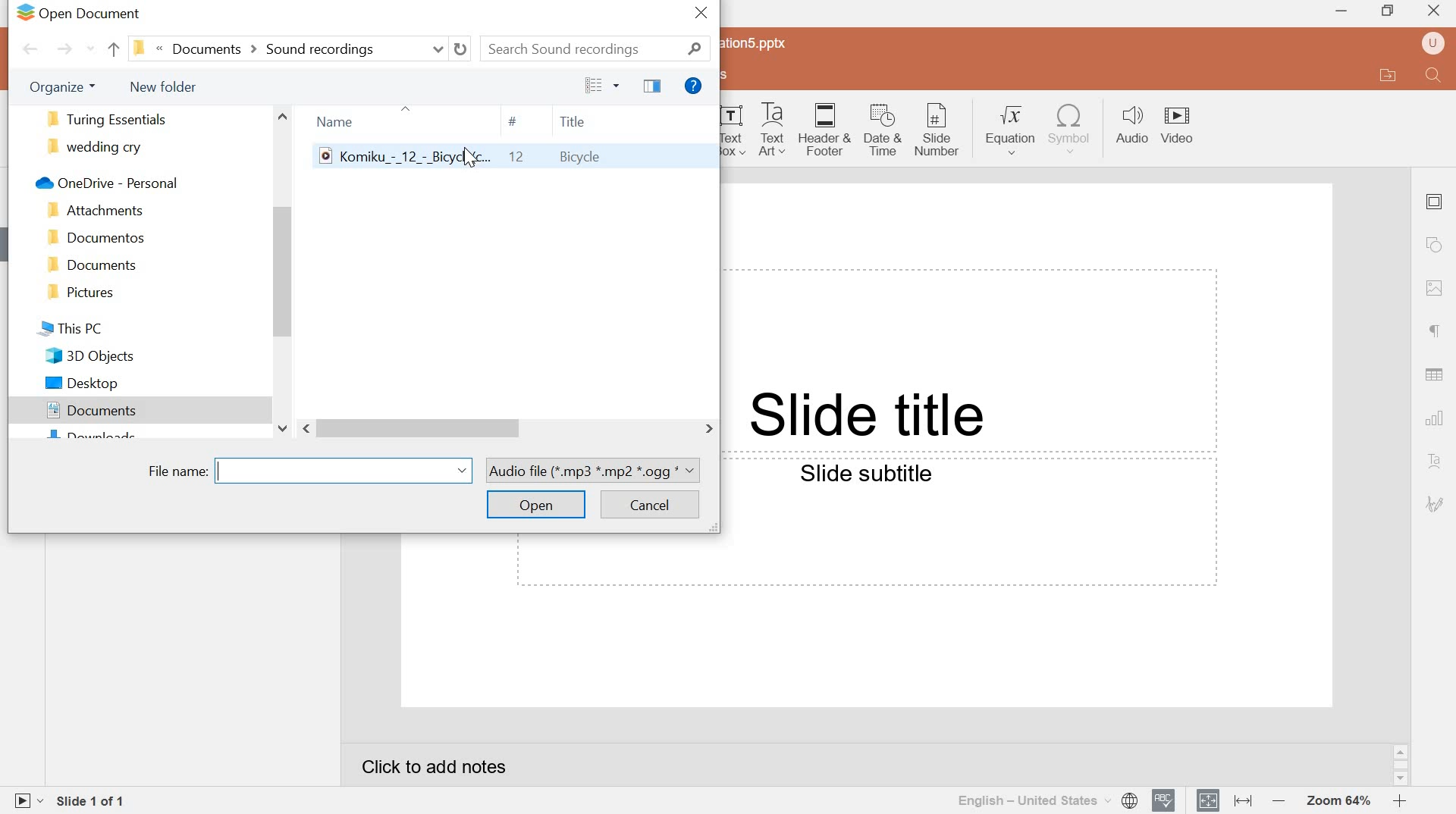 This screenshot has width=1456, height=814. I want to click on turing essentials folder, so click(112, 120).